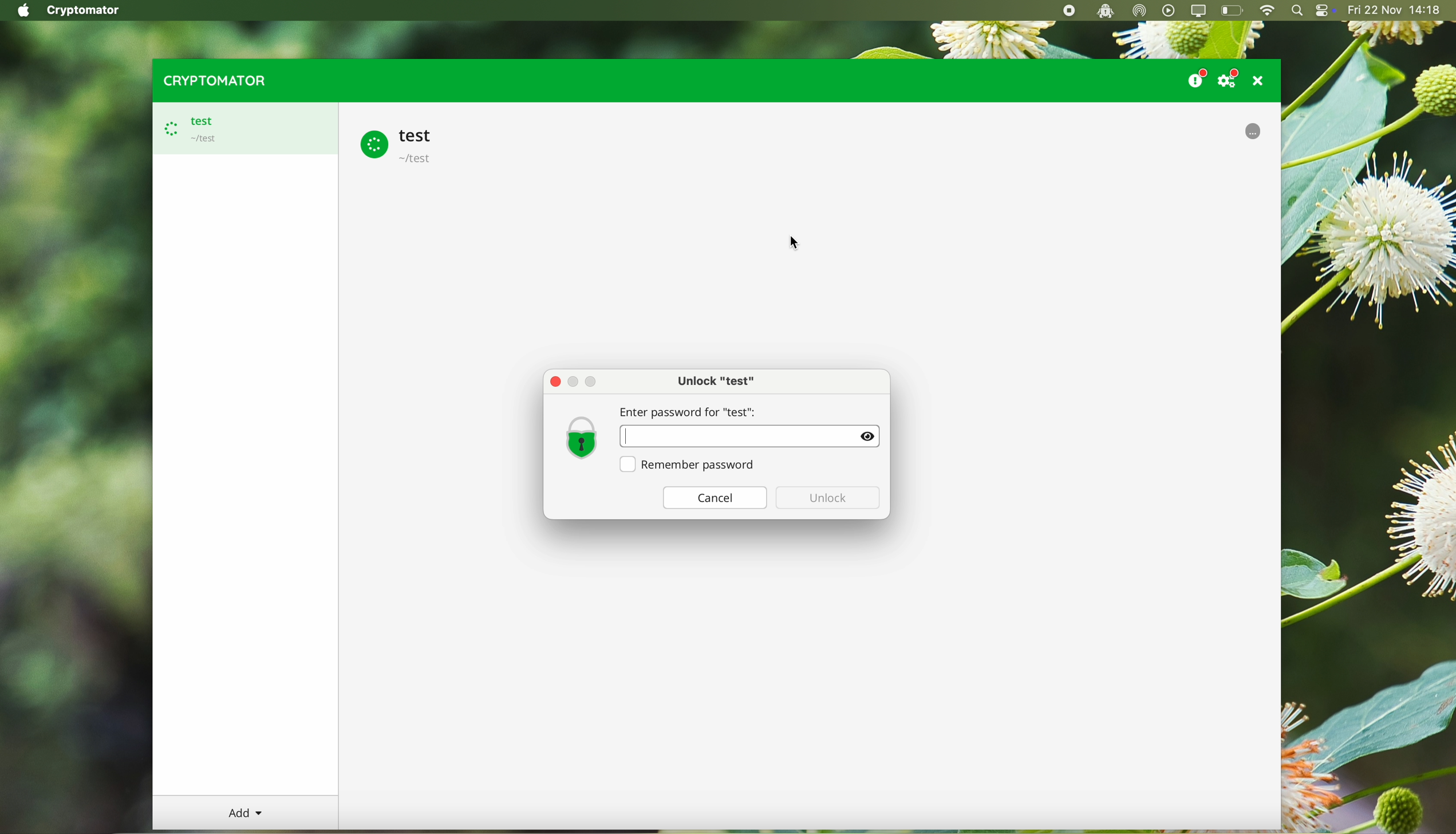 The image size is (1456, 834). I want to click on remember password , so click(692, 465).